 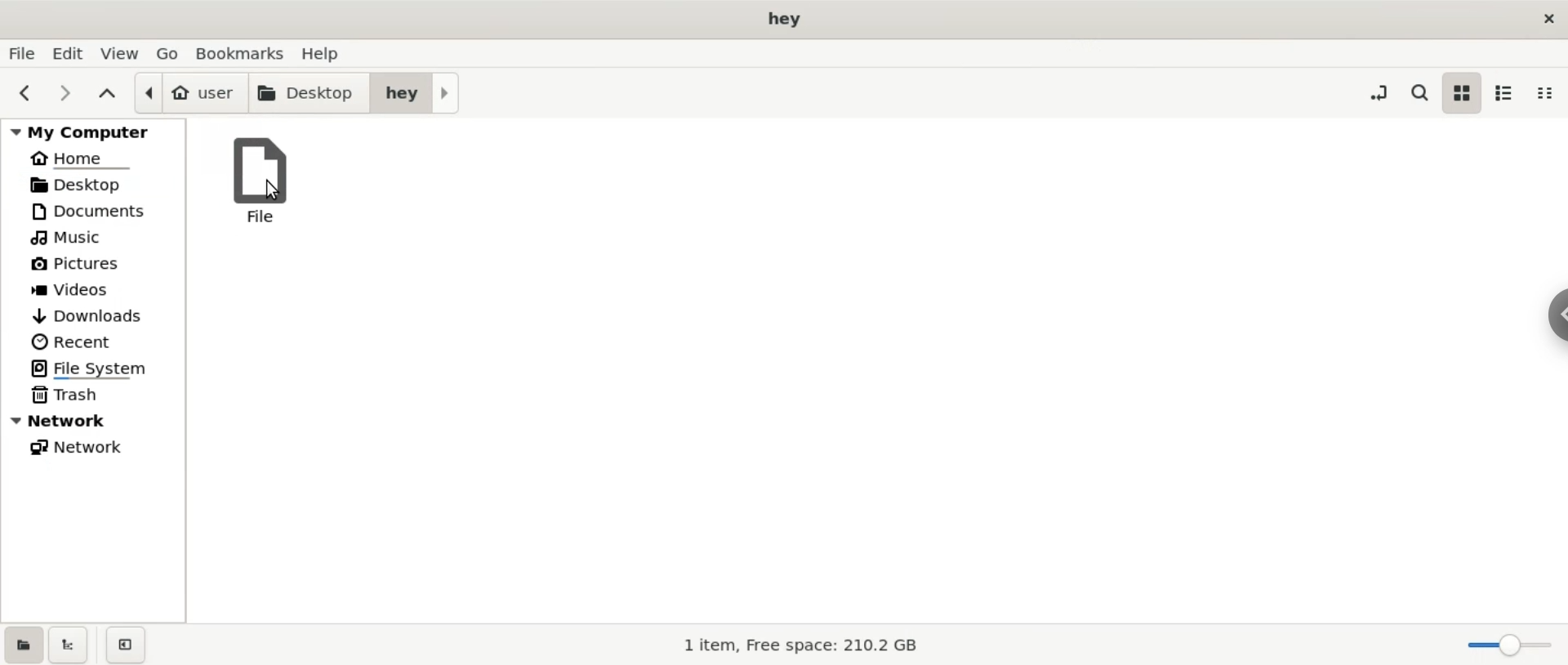 What do you see at coordinates (1506, 91) in the screenshot?
I see `list view` at bounding box center [1506, 91].